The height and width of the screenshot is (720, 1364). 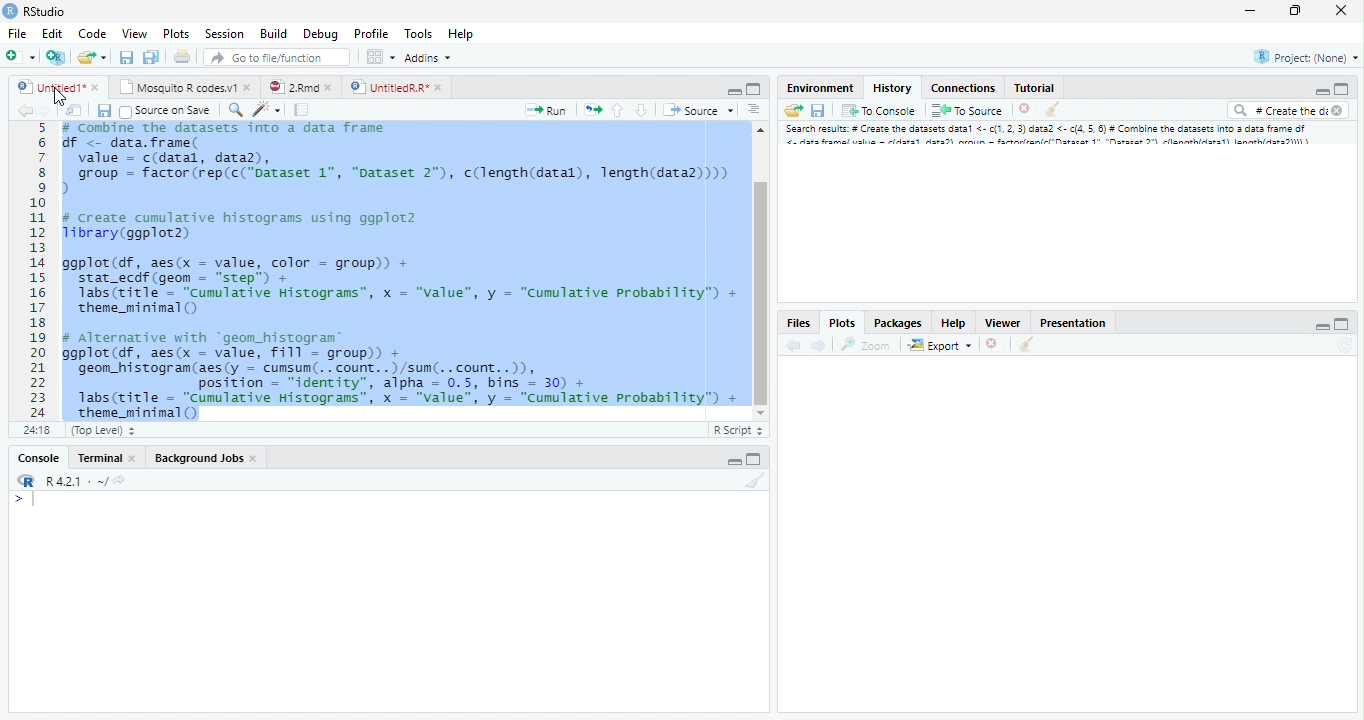 What do you see at coordinates (227, 34) in the screenshot?
I see `Session` at bounding box center [227, 34].